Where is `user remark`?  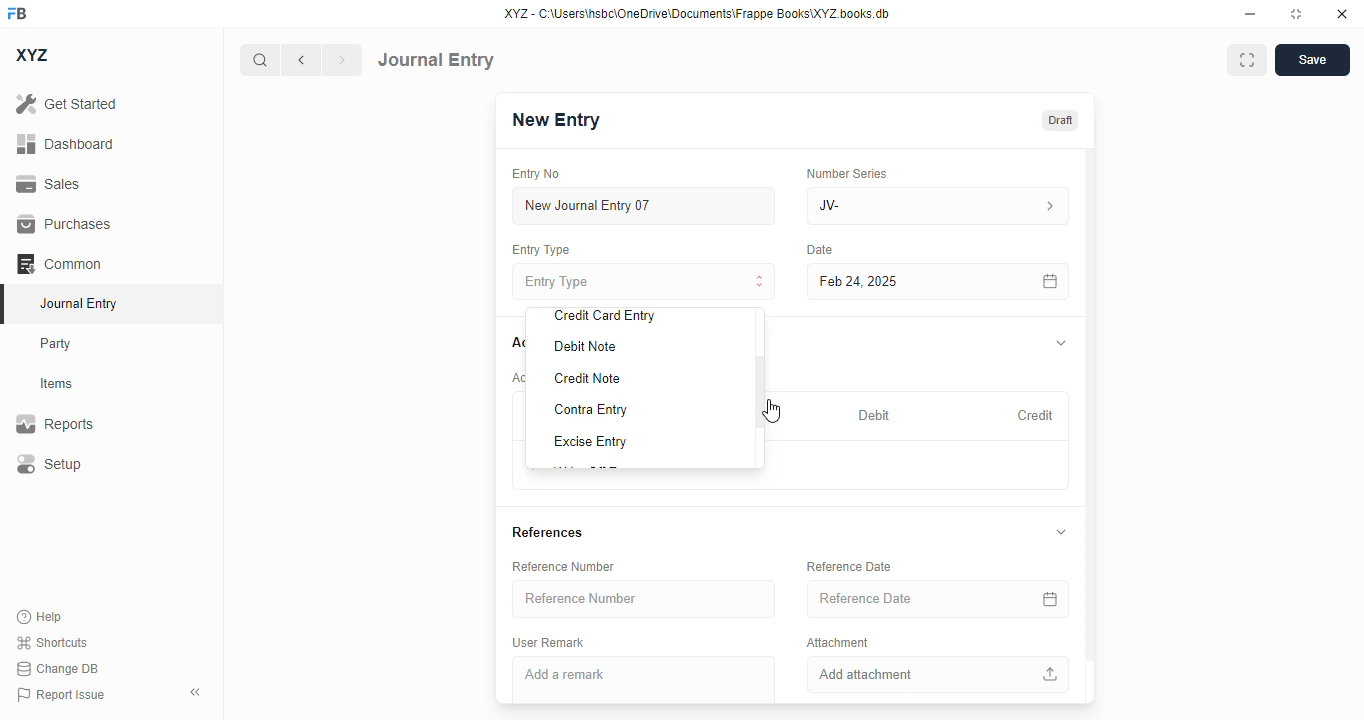
user remark is located at coordinates (550, 642).